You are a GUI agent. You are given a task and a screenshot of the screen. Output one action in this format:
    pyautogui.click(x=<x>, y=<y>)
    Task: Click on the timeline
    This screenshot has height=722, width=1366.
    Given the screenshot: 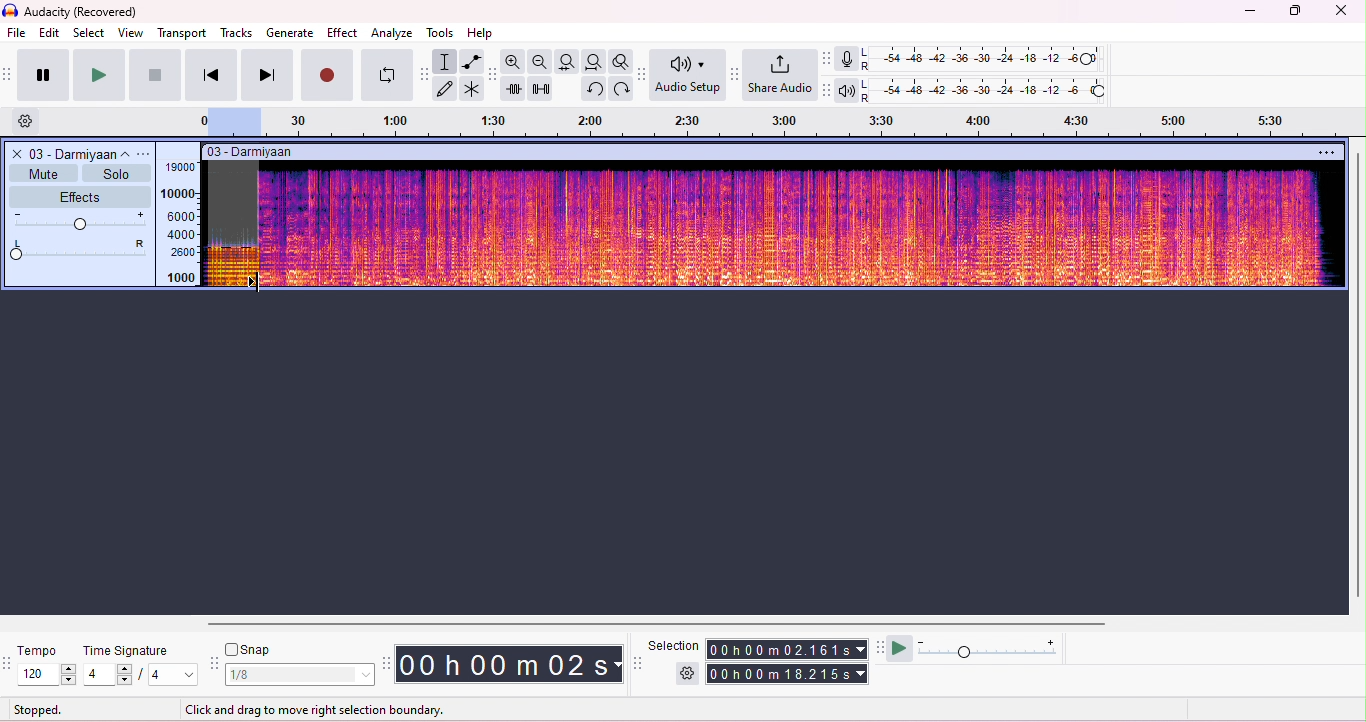 What is the action you would take?
    pyautogui.click(x=767, y=123)
    